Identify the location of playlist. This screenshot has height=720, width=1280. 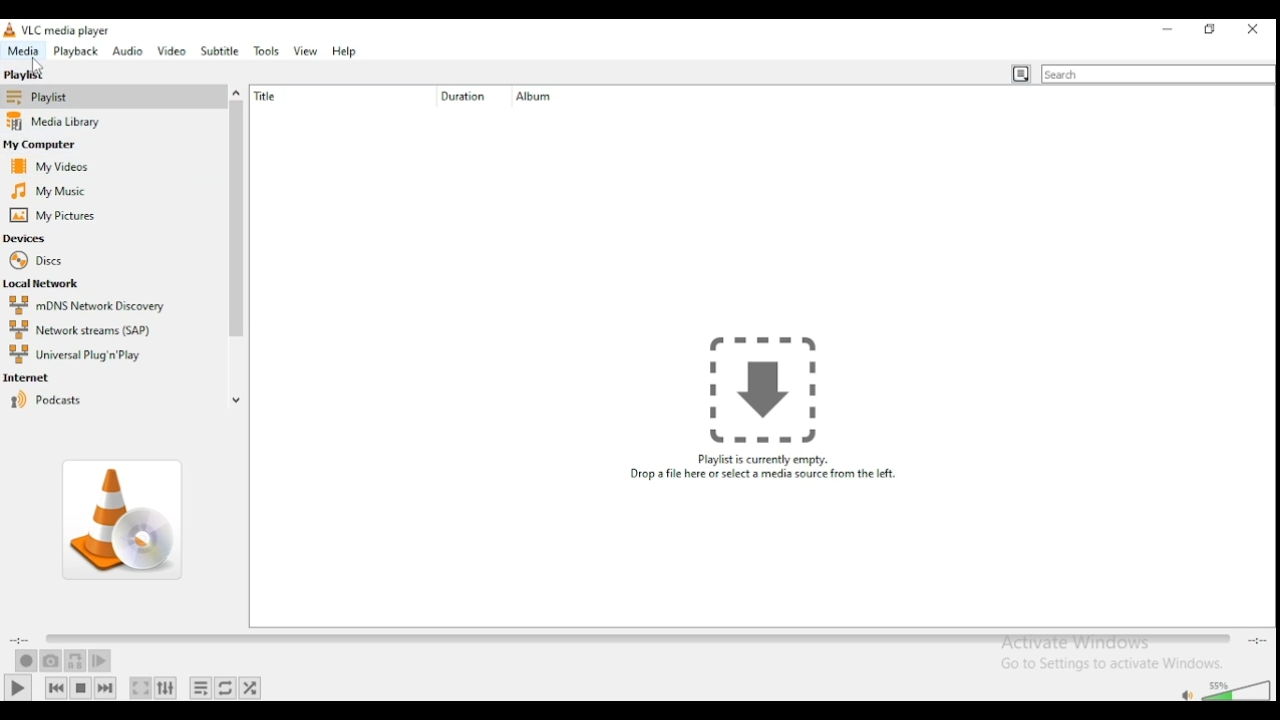
(42, 96).